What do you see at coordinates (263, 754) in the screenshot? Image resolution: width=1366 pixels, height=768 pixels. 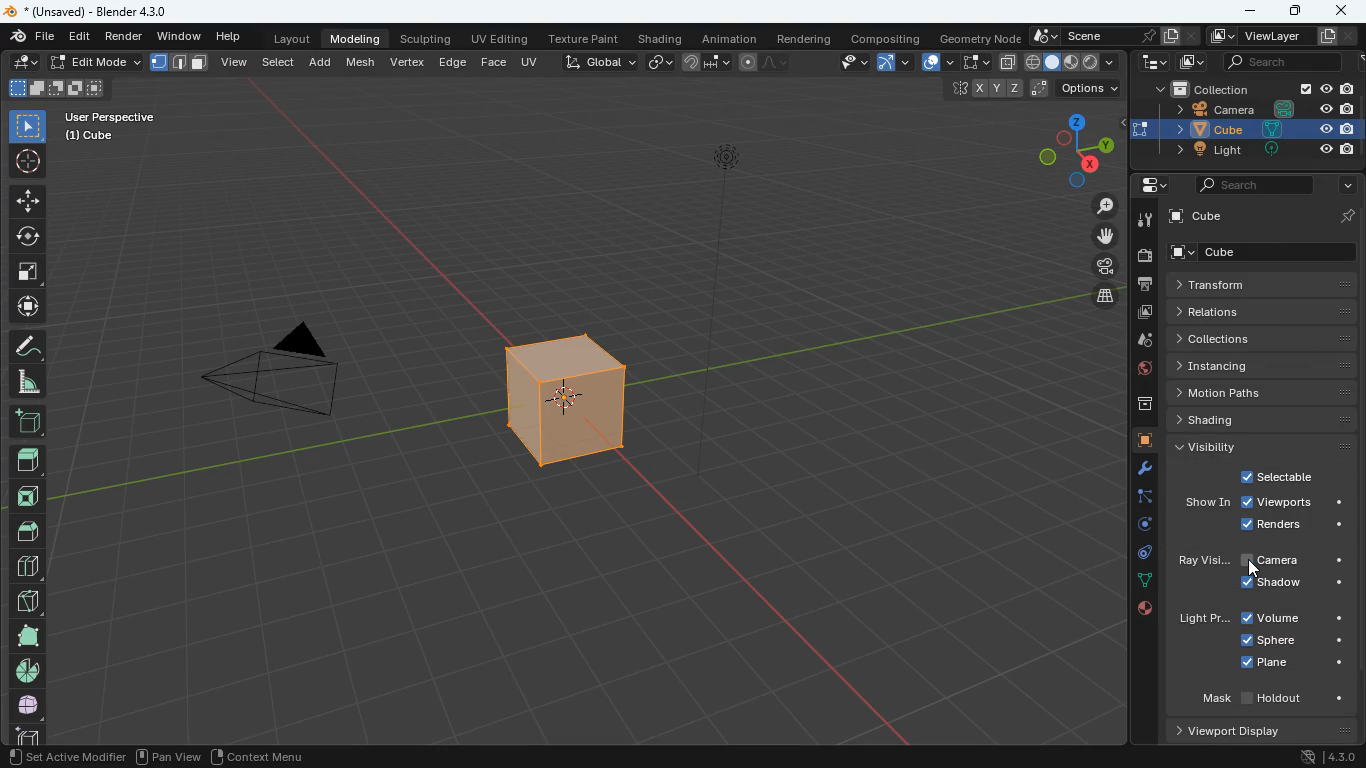 I see `context menu` at bounding box center [263, 754].